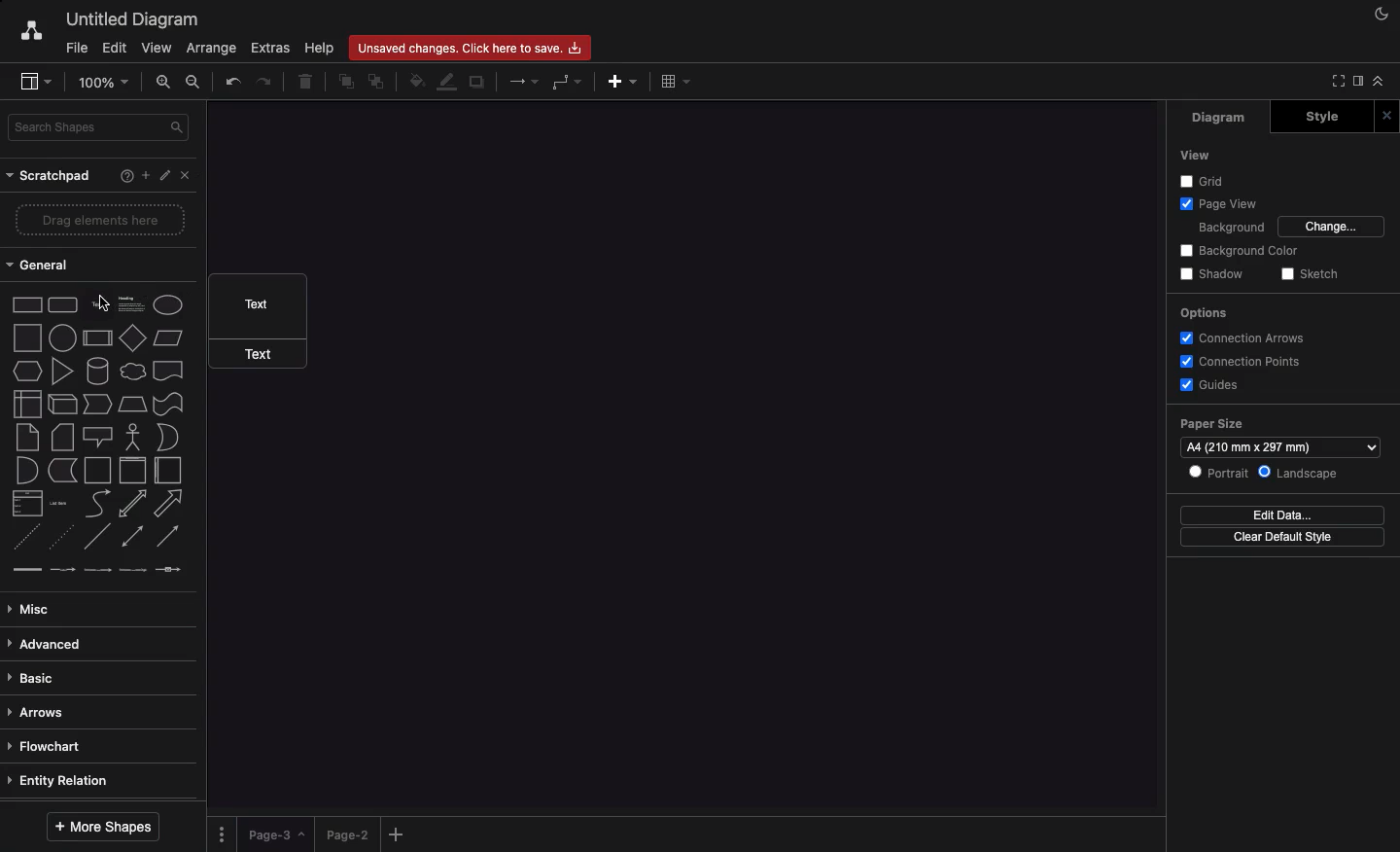 The width and height of the screenshot is (1400, 852). What do you see at coordinates (98, 371) in the screenshot?
I see `cylinder` at bounding box center [98, 371].